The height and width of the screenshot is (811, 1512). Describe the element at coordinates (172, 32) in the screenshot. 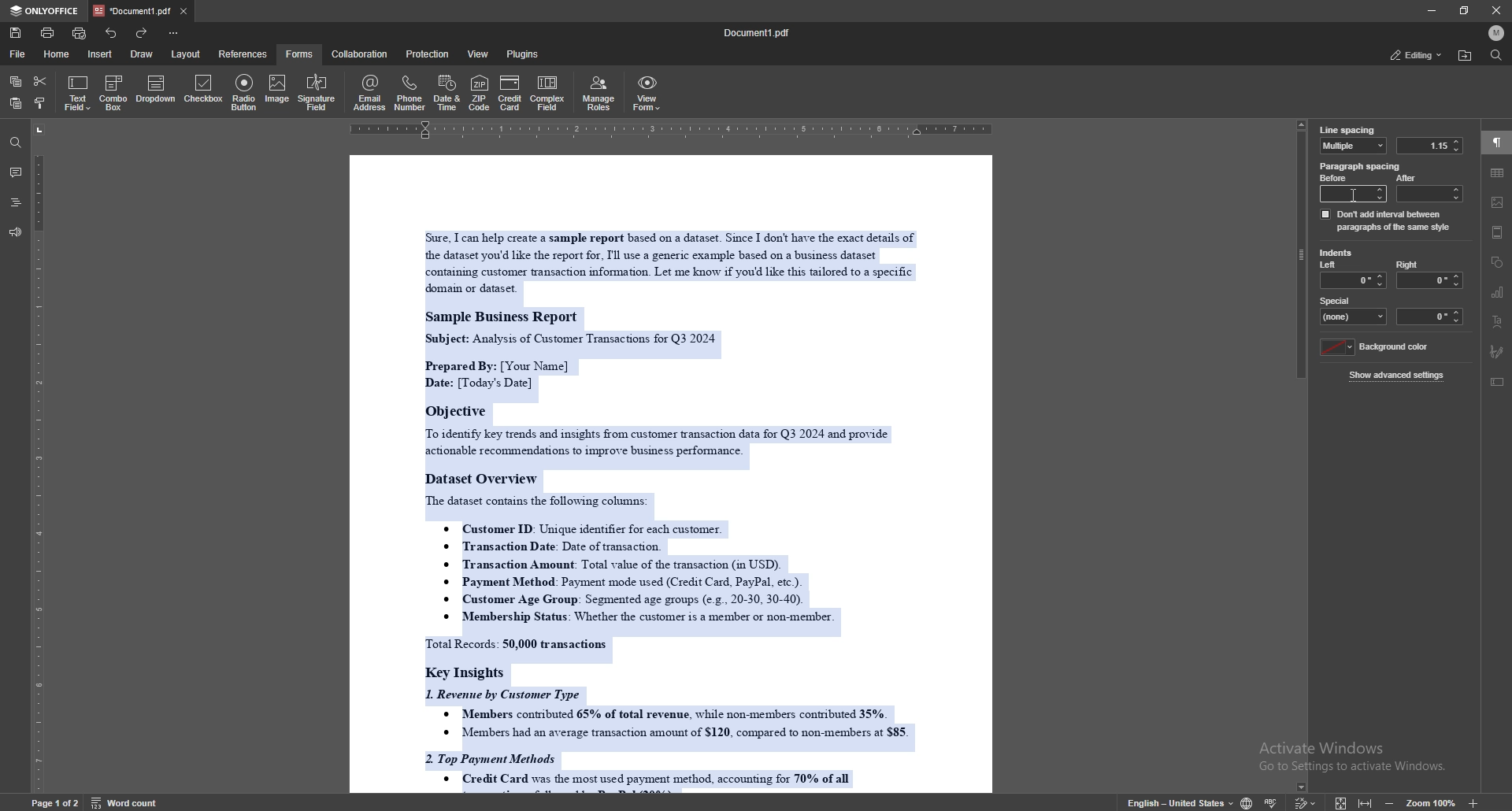

I see `customize toolbar` at that location.